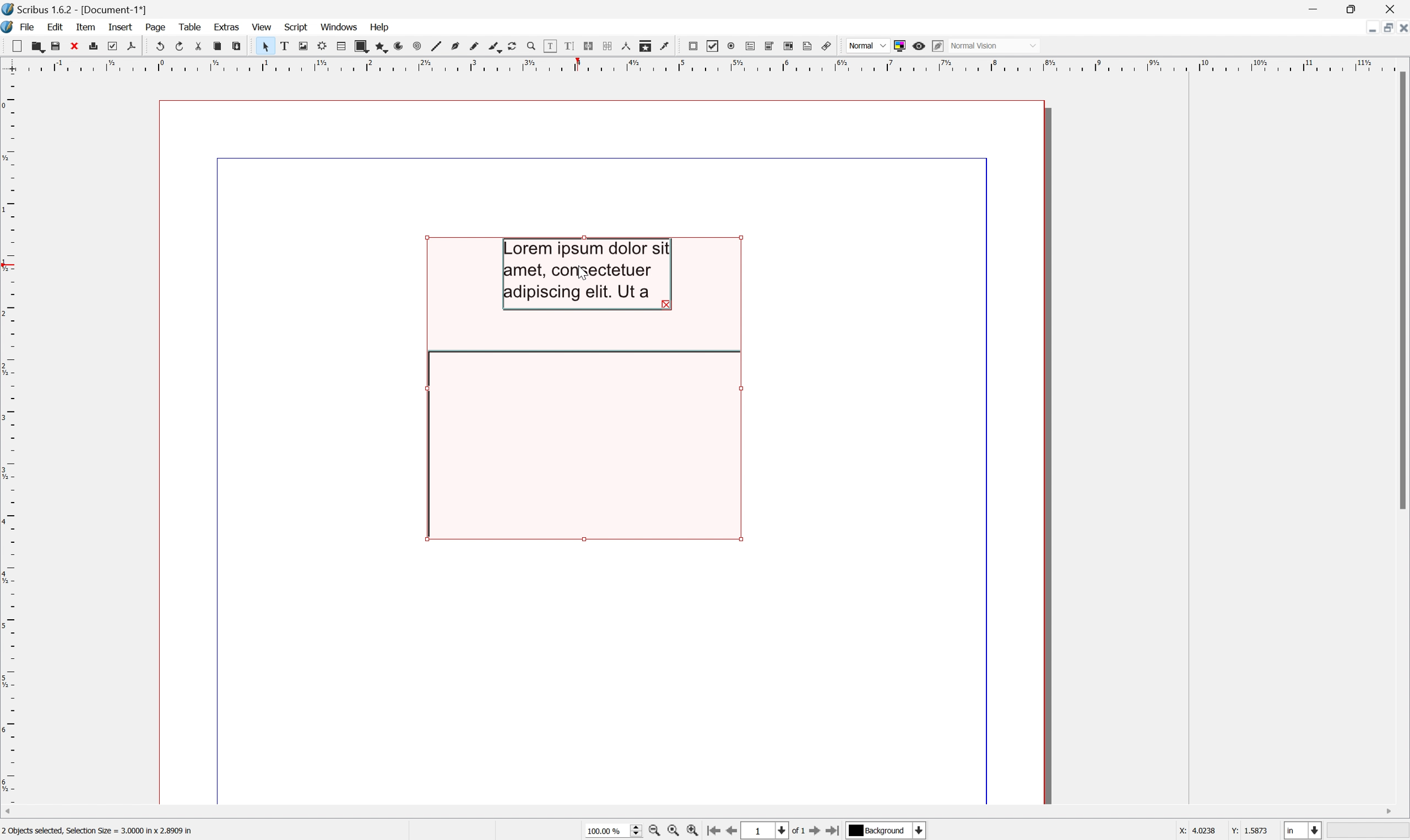  I want to click on Edit, so click(54, 28).